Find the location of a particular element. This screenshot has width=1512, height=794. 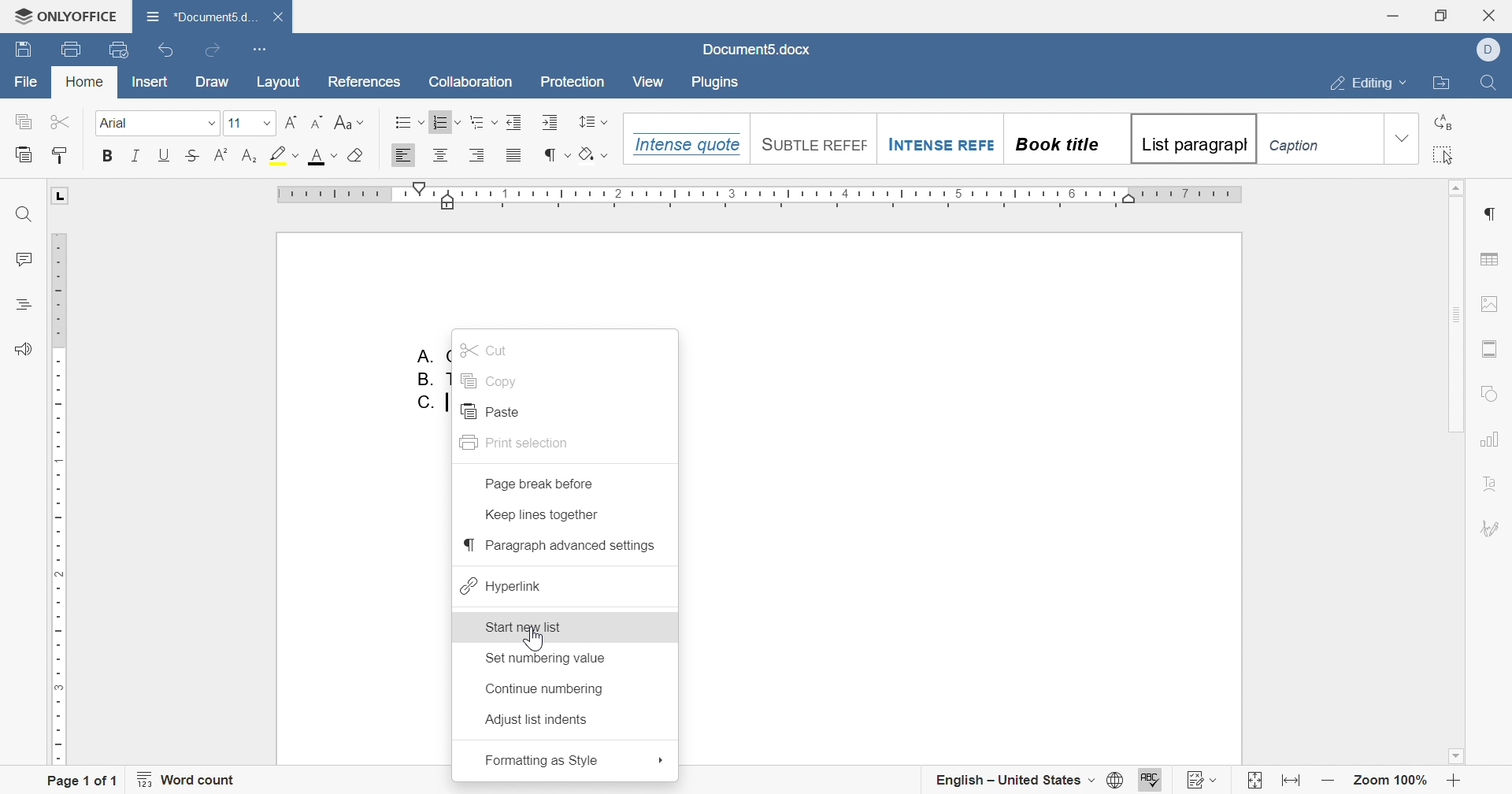

highlight color is located at coordinates (287, 153).